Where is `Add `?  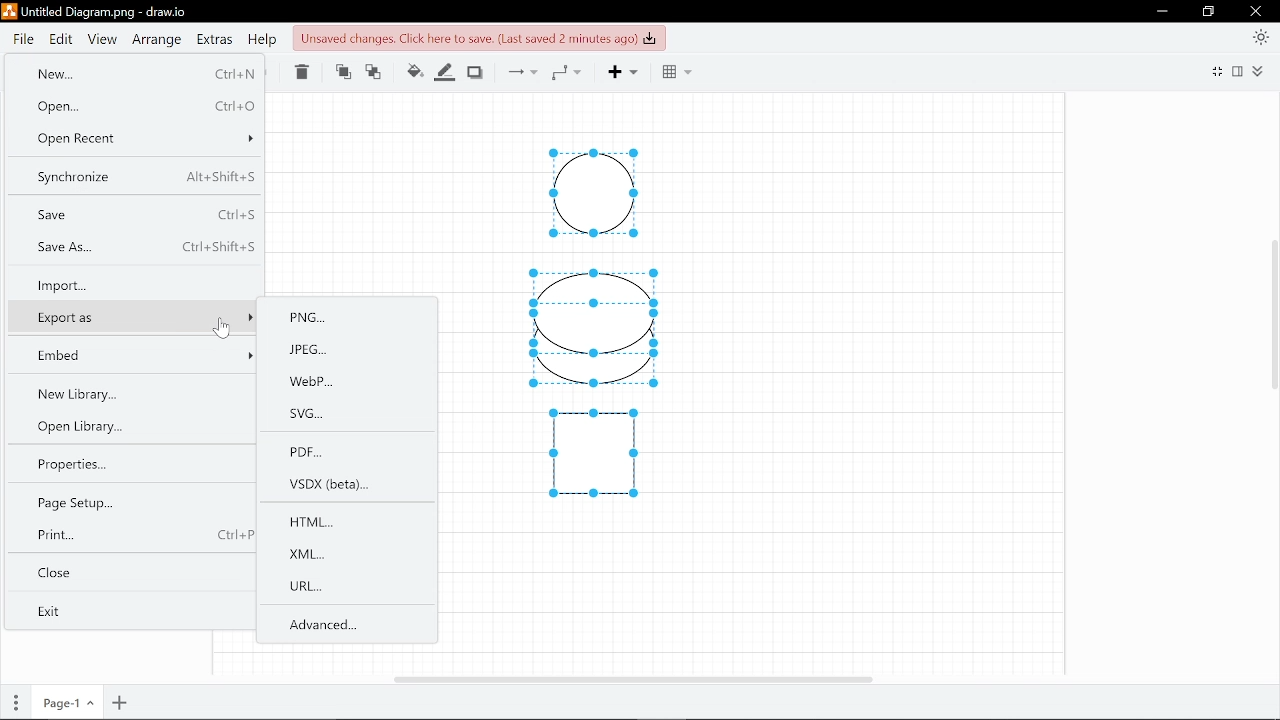
Add  is located at coordinates (618, 72).